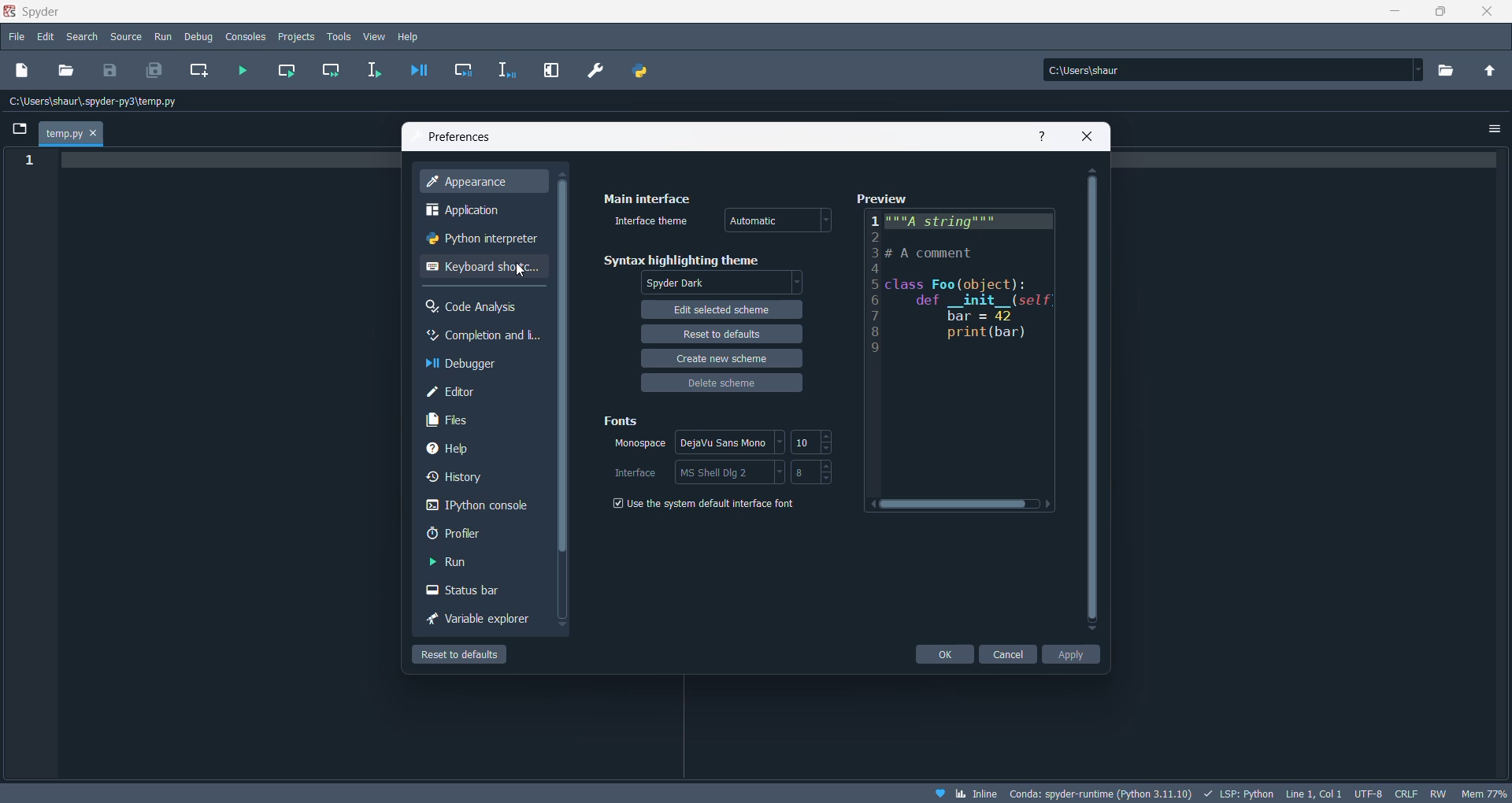 This screenshot has width=1512, height=803. I want to click on cursor, so click(521, 272).